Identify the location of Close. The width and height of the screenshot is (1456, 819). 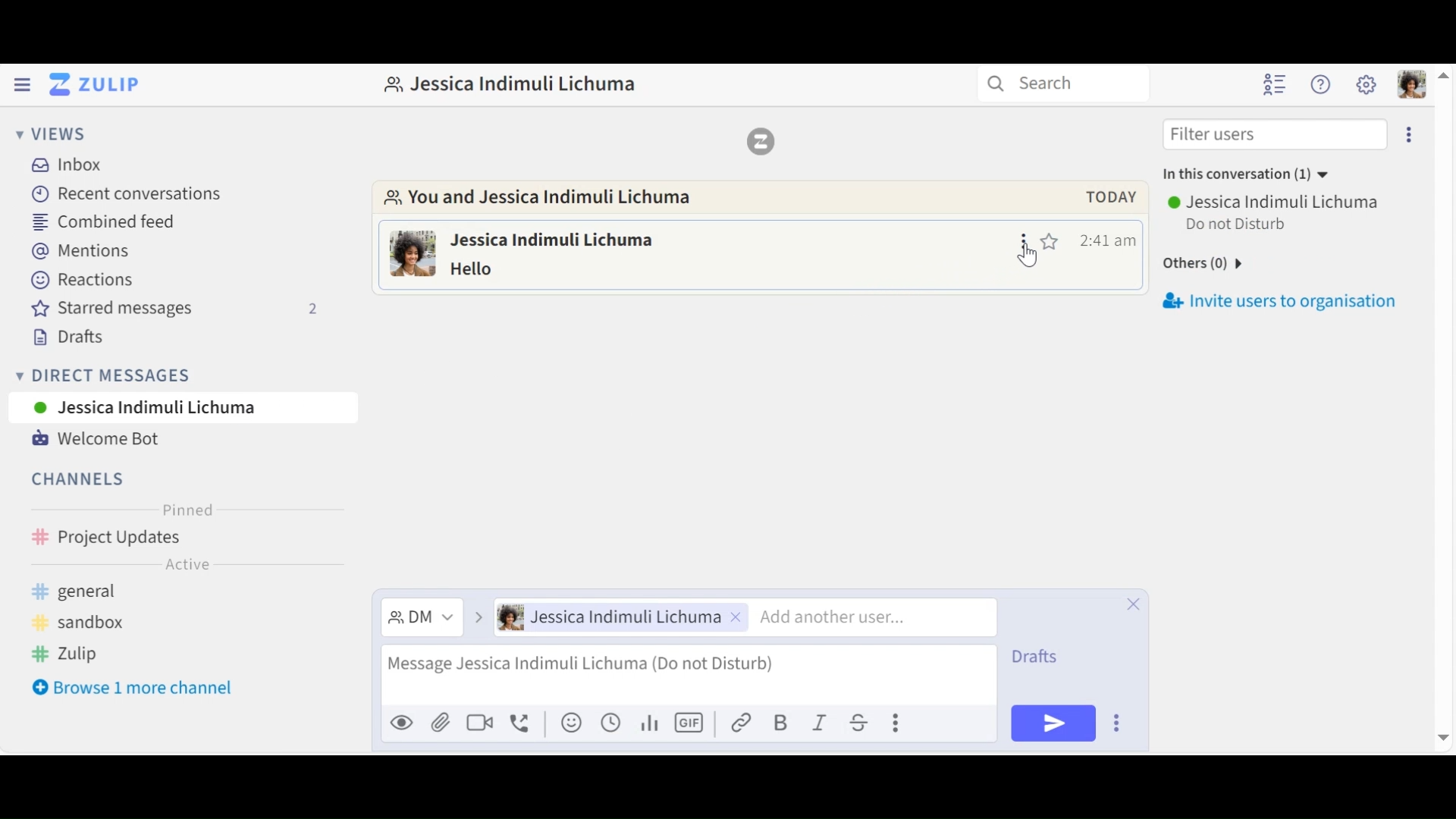
(1134, 602).